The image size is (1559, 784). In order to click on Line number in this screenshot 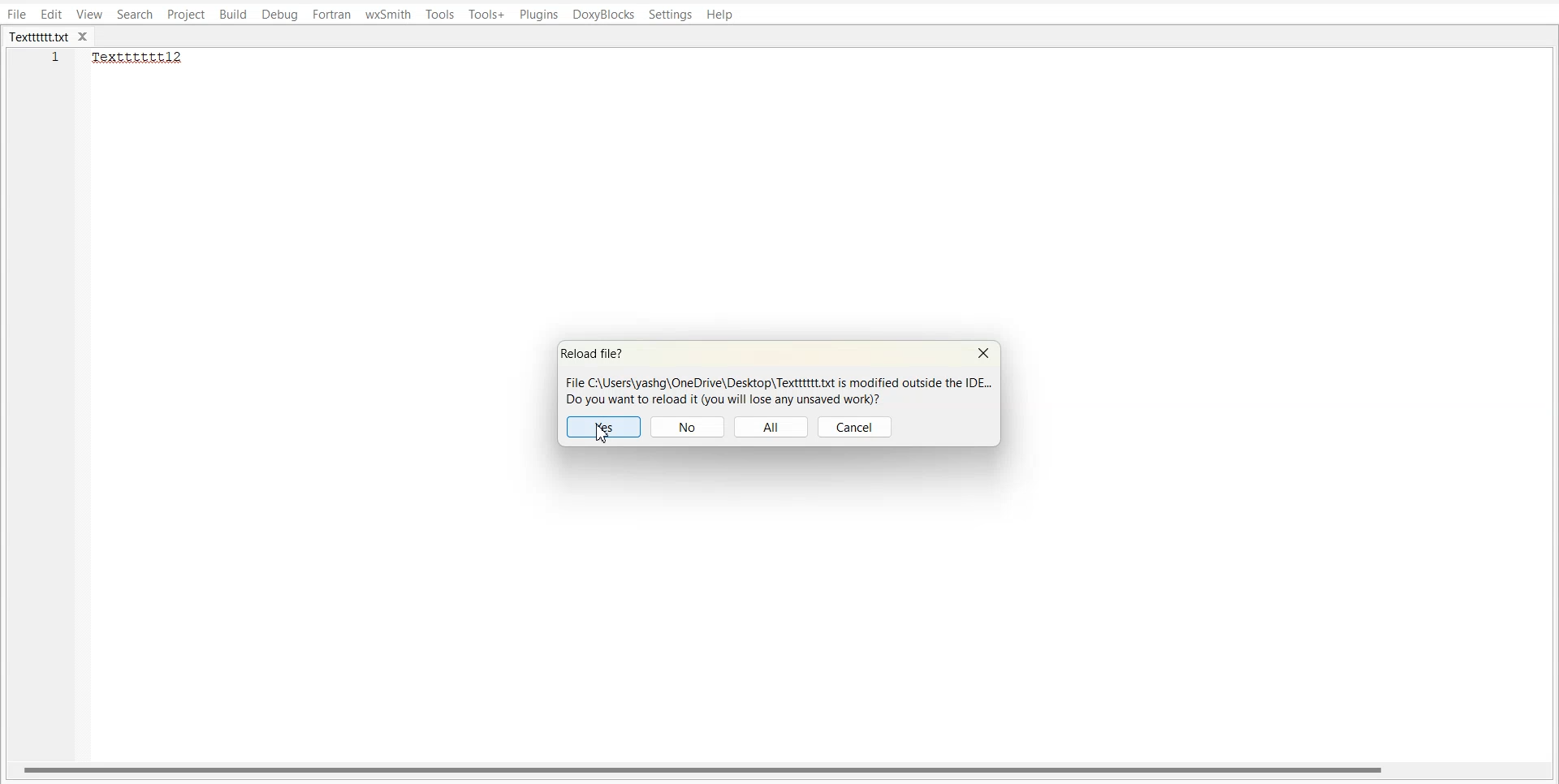, I will do `click(57, 62)`.